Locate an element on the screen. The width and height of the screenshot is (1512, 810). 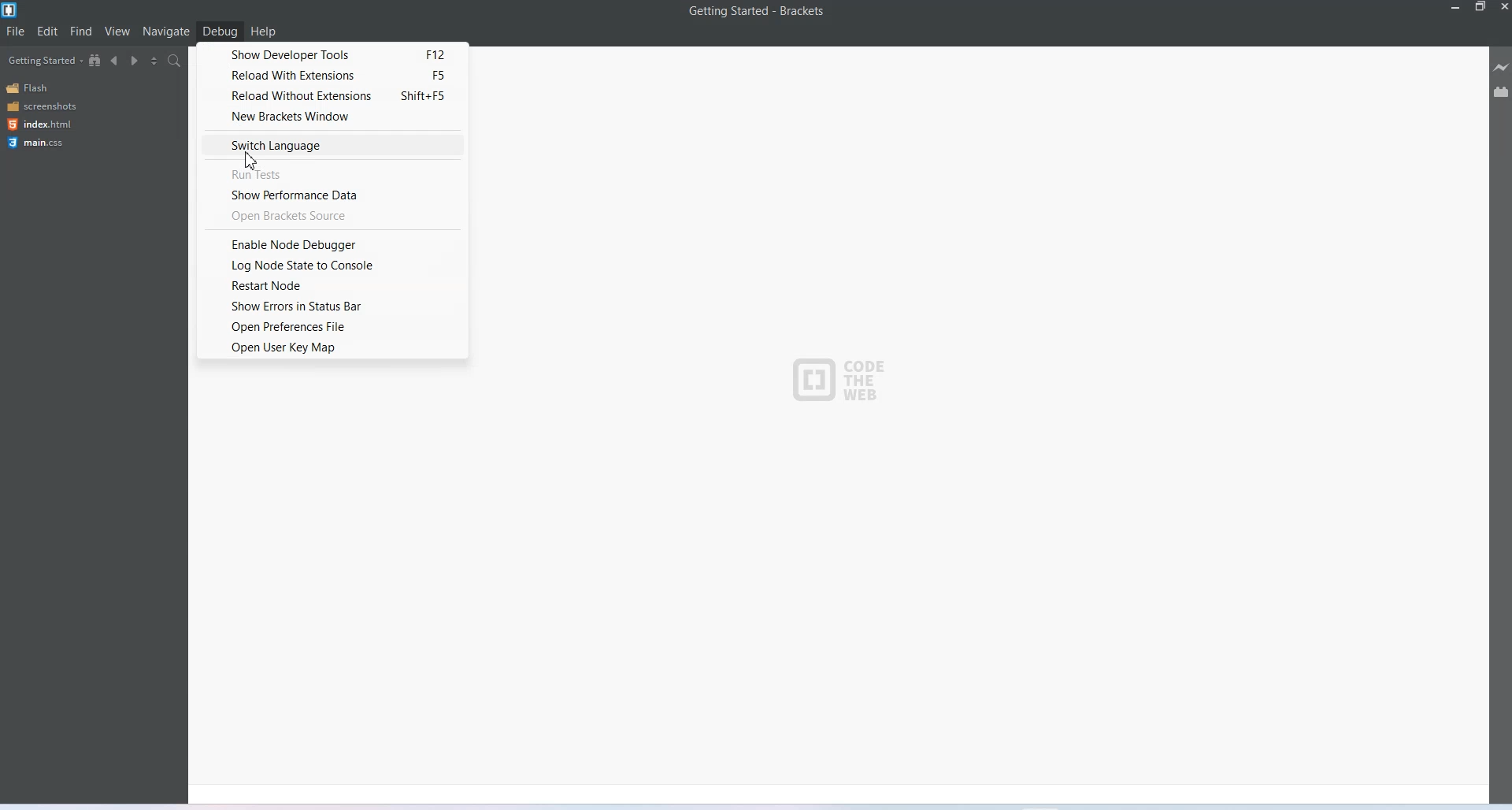
open preferences file is located at coordinates (334, 326).